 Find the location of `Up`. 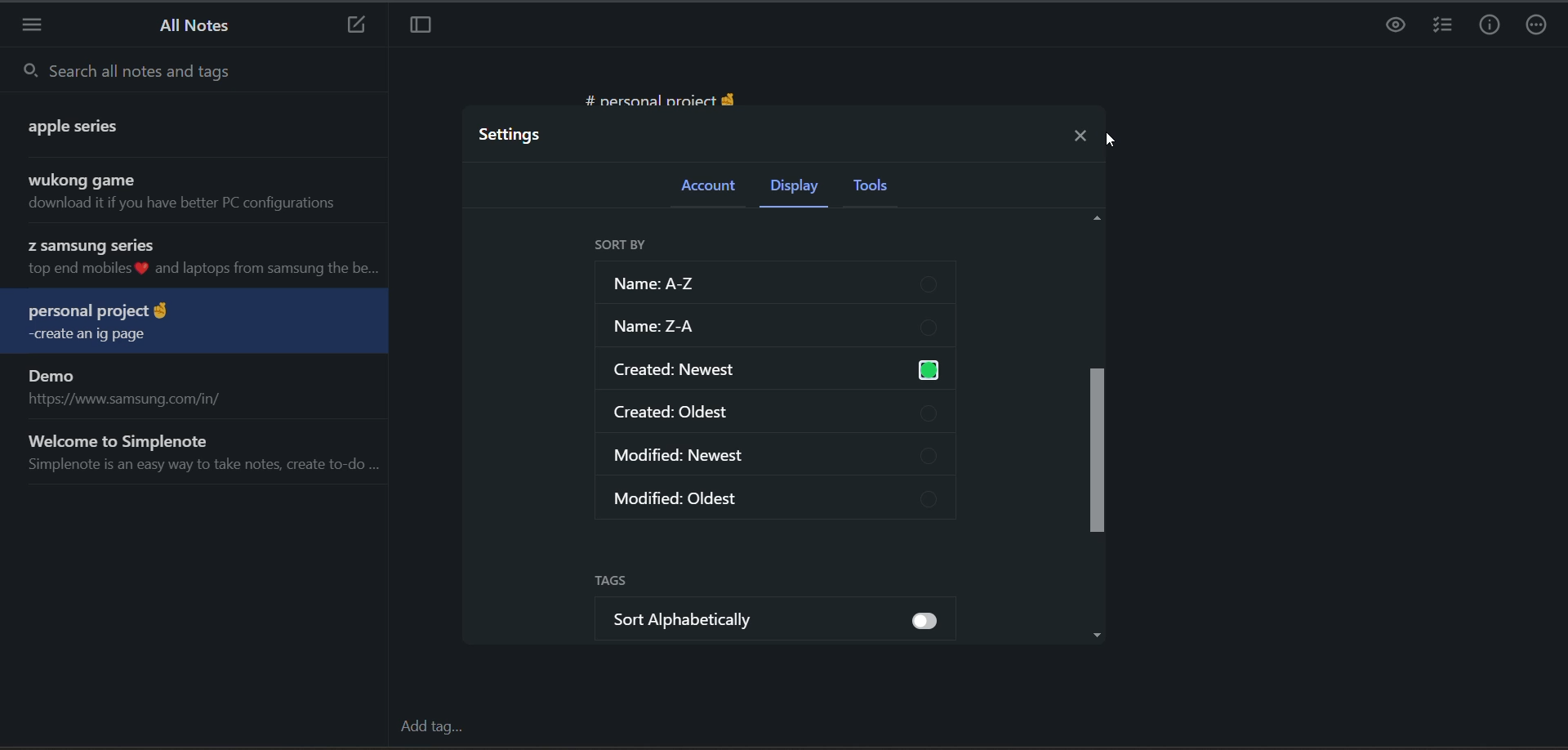

Up is located at coordinates (1102, 219).